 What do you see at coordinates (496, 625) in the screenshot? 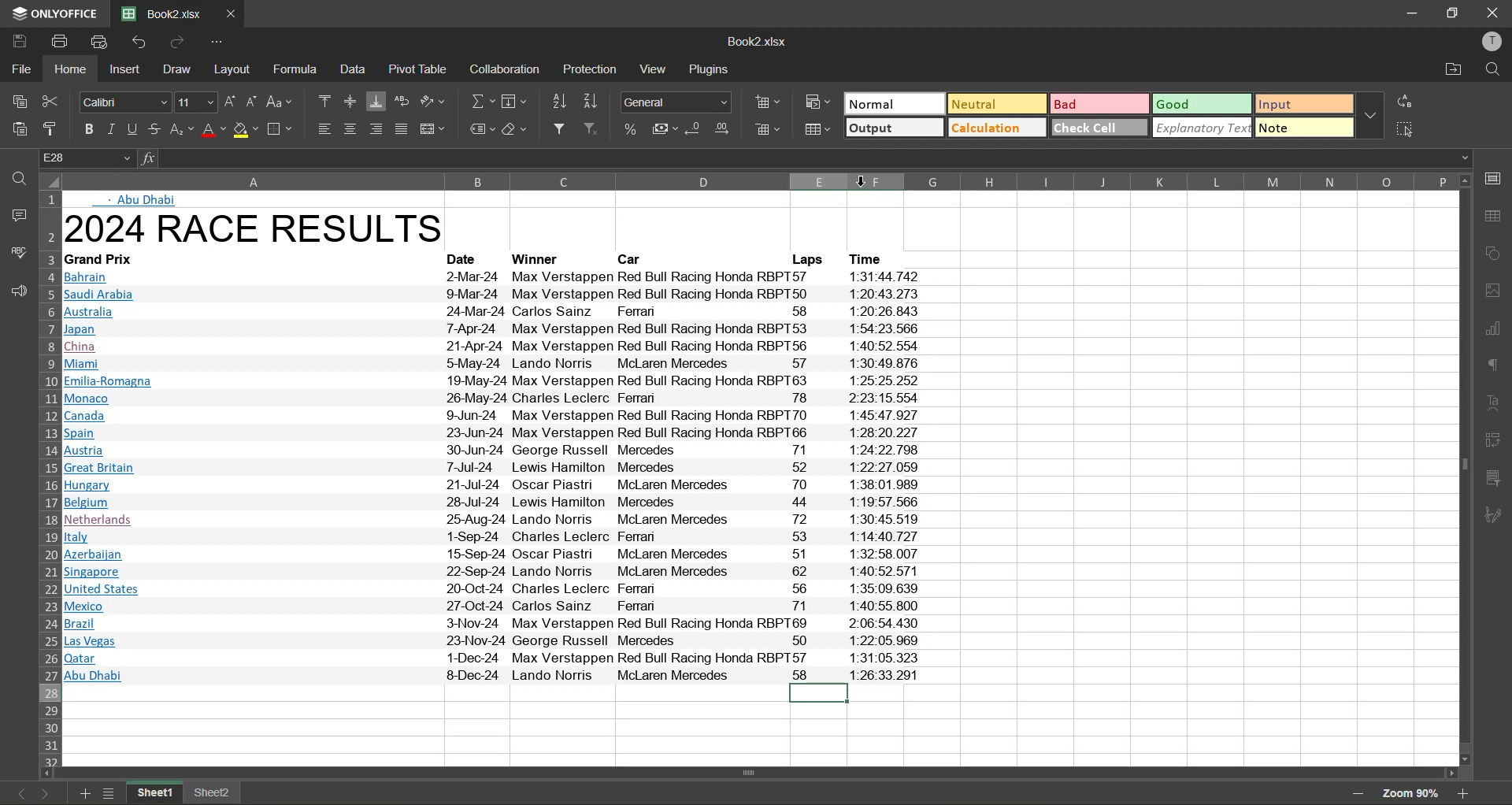
I see `Brazil 3-Nov-24 Max Verstappen Red Bull Racing Honda RBPT69 2:06:54.430` at bounding box center [496, 625].